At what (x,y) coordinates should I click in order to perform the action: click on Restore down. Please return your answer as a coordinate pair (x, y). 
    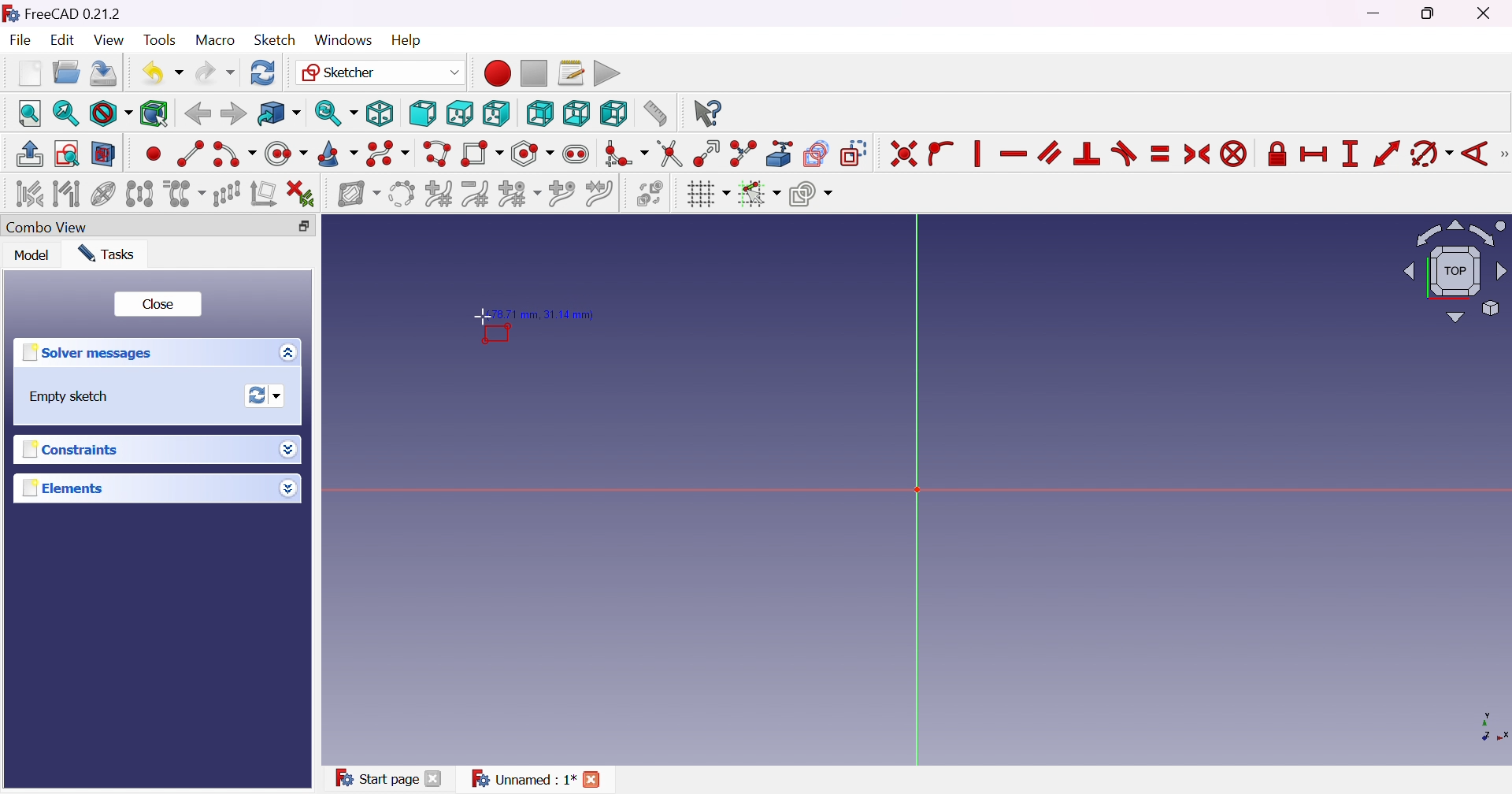
    Looking at the image, I should click on (304, 227).